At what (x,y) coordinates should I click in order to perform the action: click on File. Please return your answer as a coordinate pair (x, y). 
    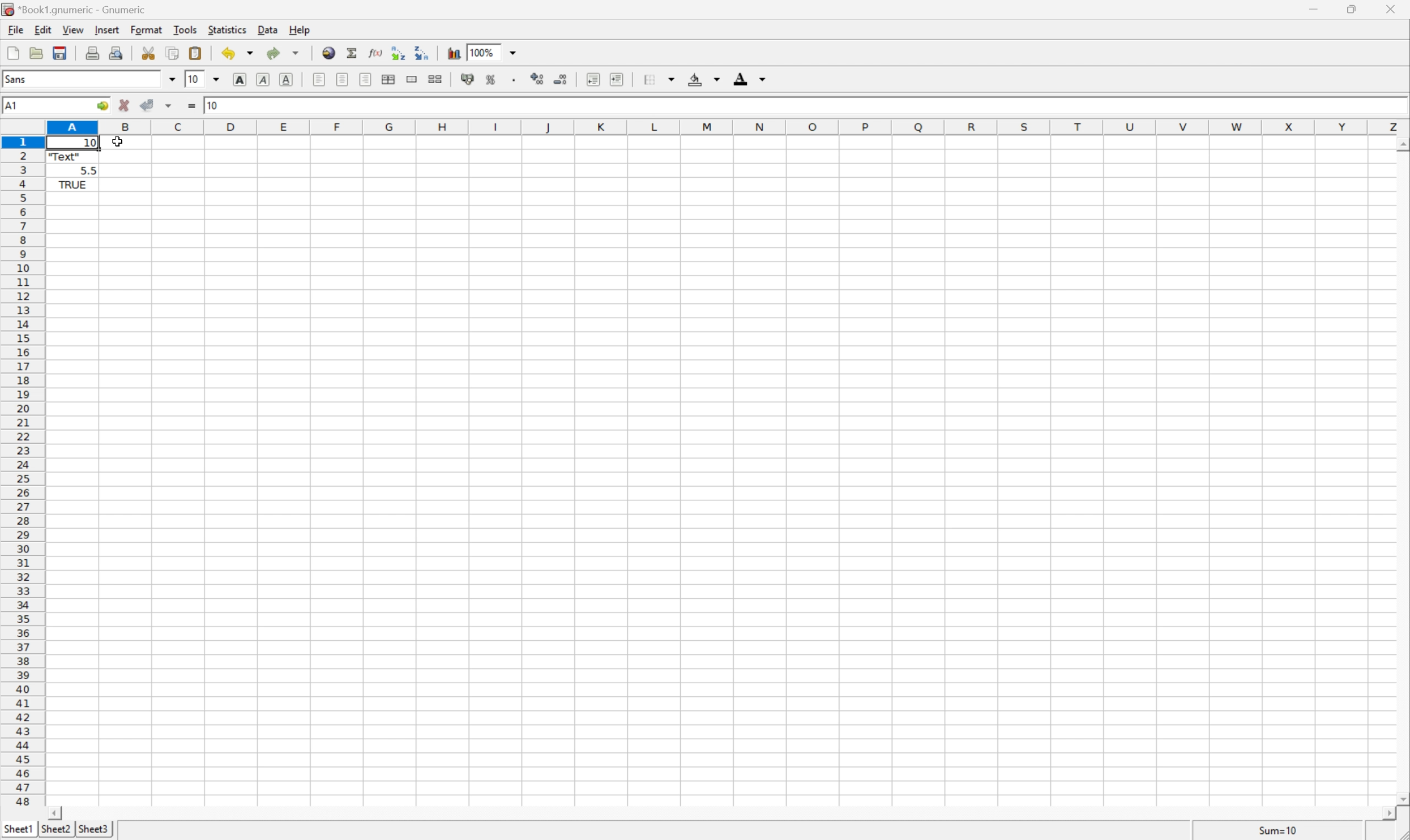
    Looking at the image, I should click on (14, 28).